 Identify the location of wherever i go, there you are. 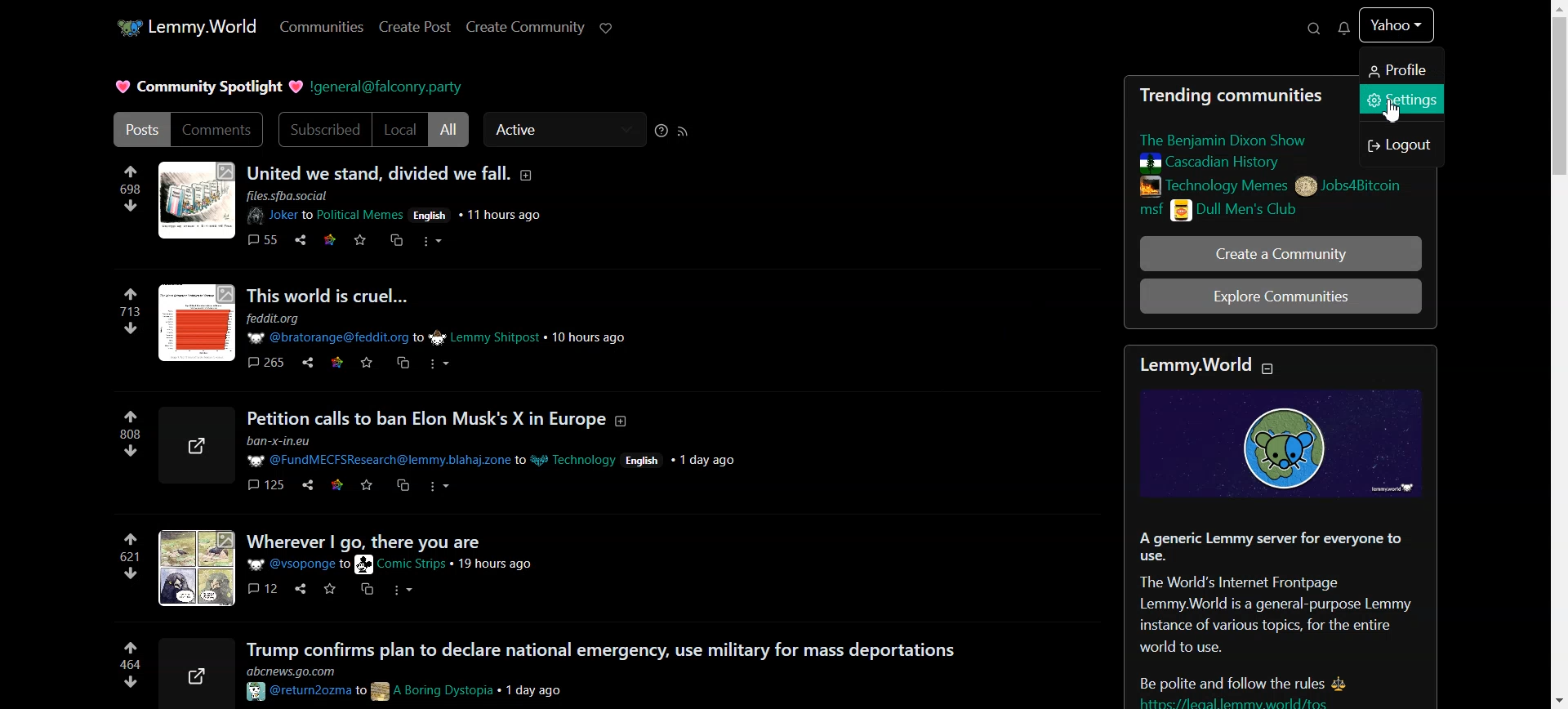
(403, 542).